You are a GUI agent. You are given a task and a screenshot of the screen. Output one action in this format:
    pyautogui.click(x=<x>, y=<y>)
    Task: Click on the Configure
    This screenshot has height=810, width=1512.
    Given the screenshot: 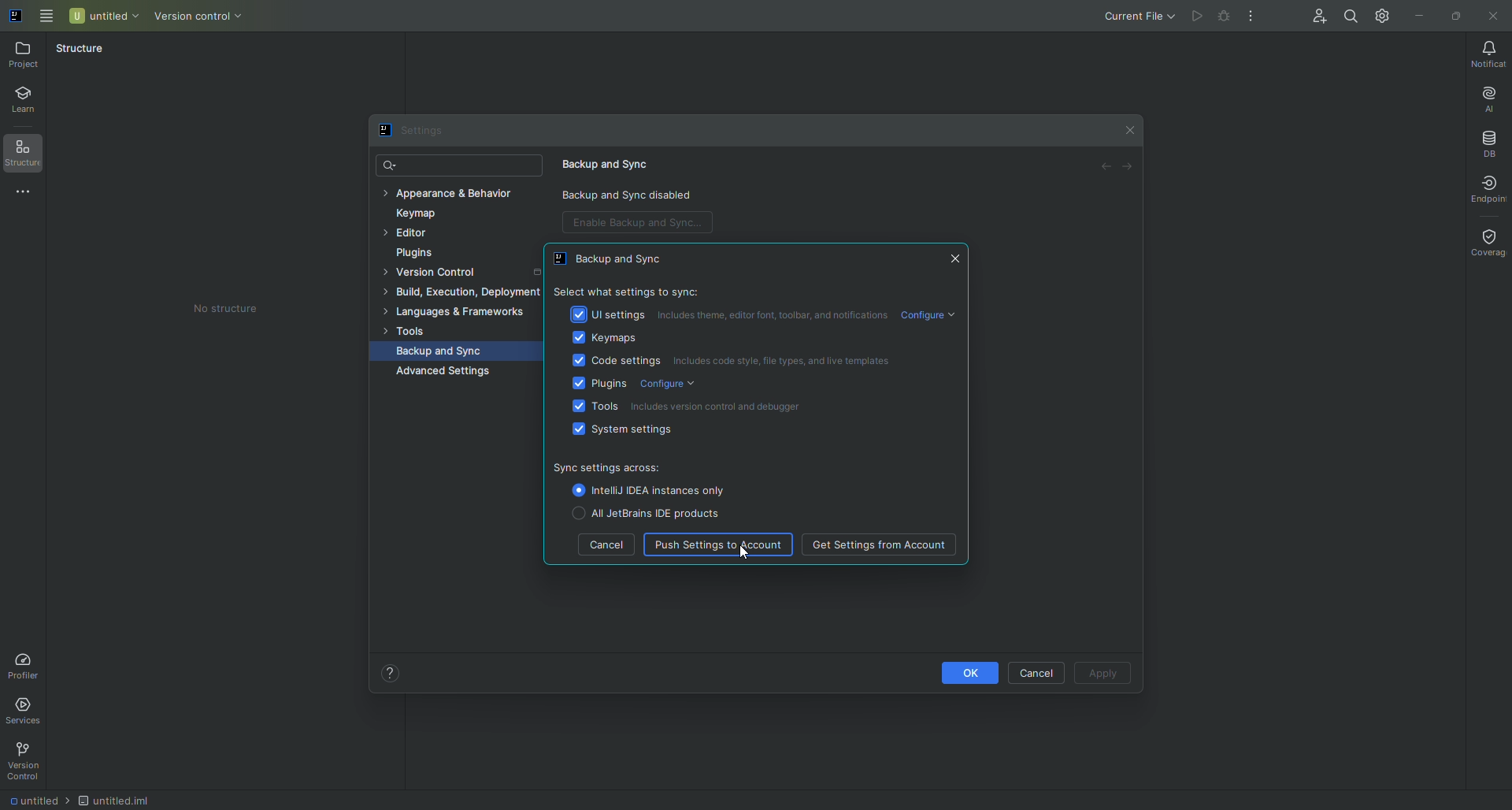 What is the action you would take?
    pyautogui.click(x=665, y=384)
    